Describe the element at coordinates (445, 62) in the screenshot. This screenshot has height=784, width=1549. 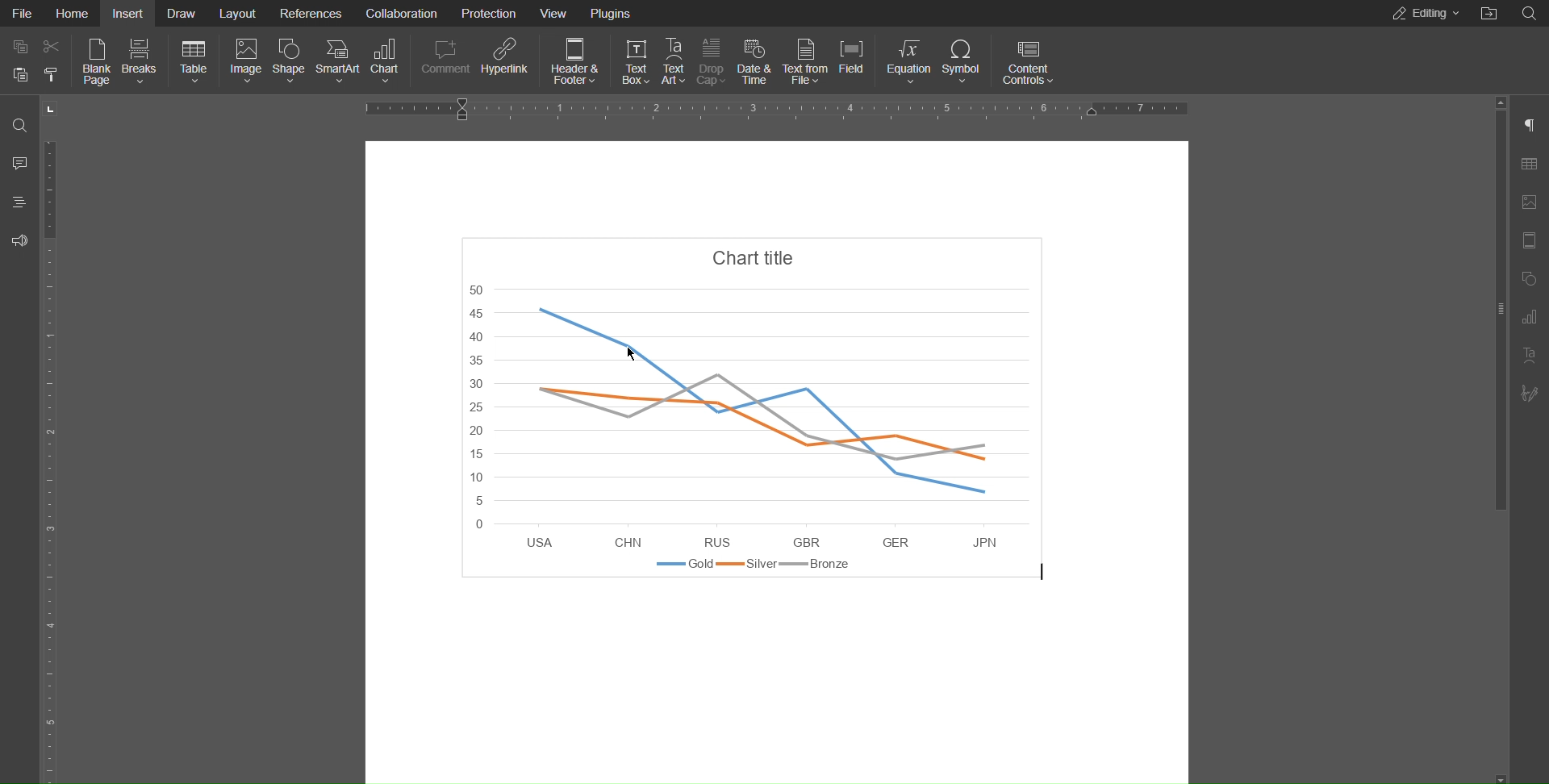
I see `Comment` at that location.